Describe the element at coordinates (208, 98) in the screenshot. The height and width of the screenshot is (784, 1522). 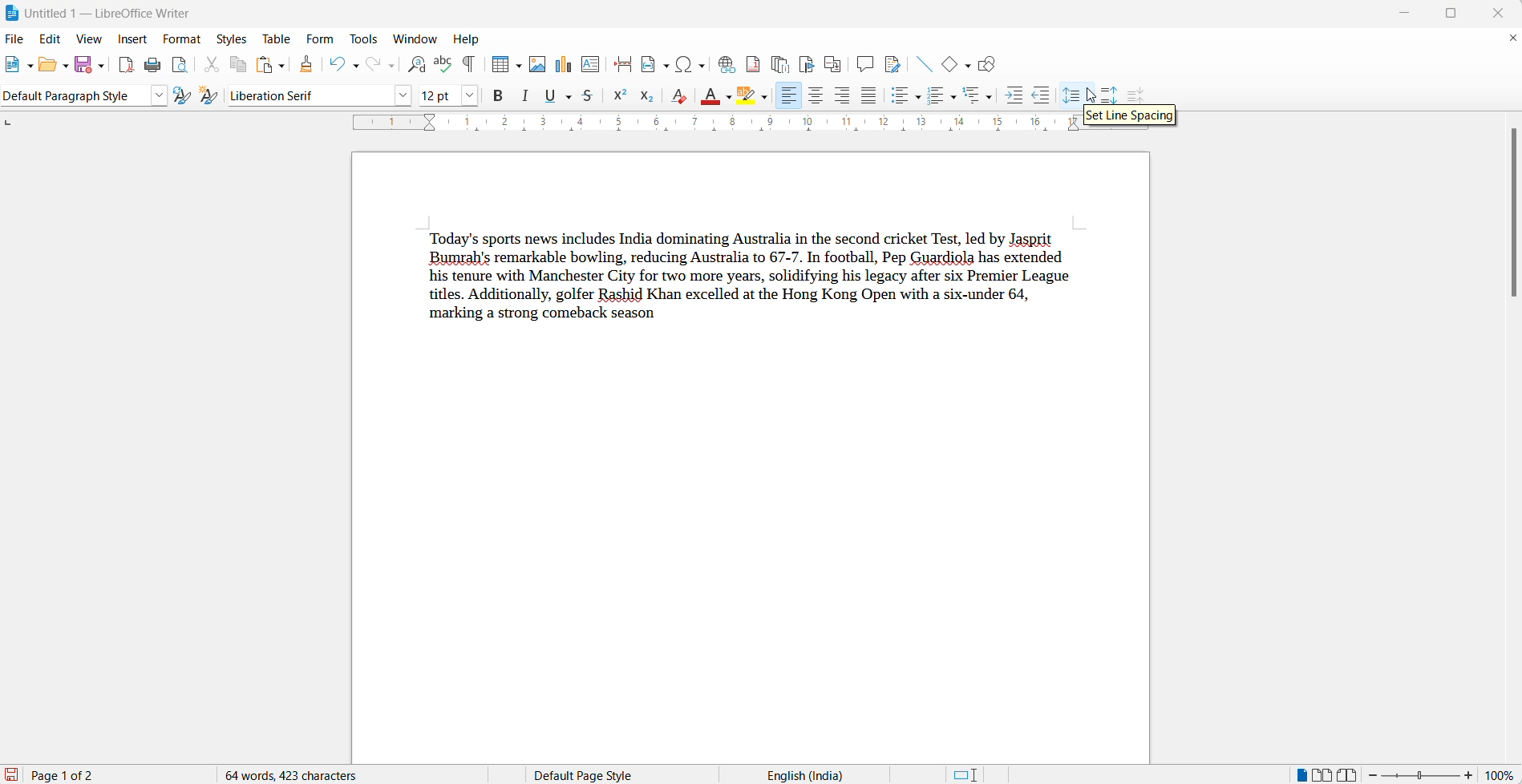
I see `new style from selections` at that location.